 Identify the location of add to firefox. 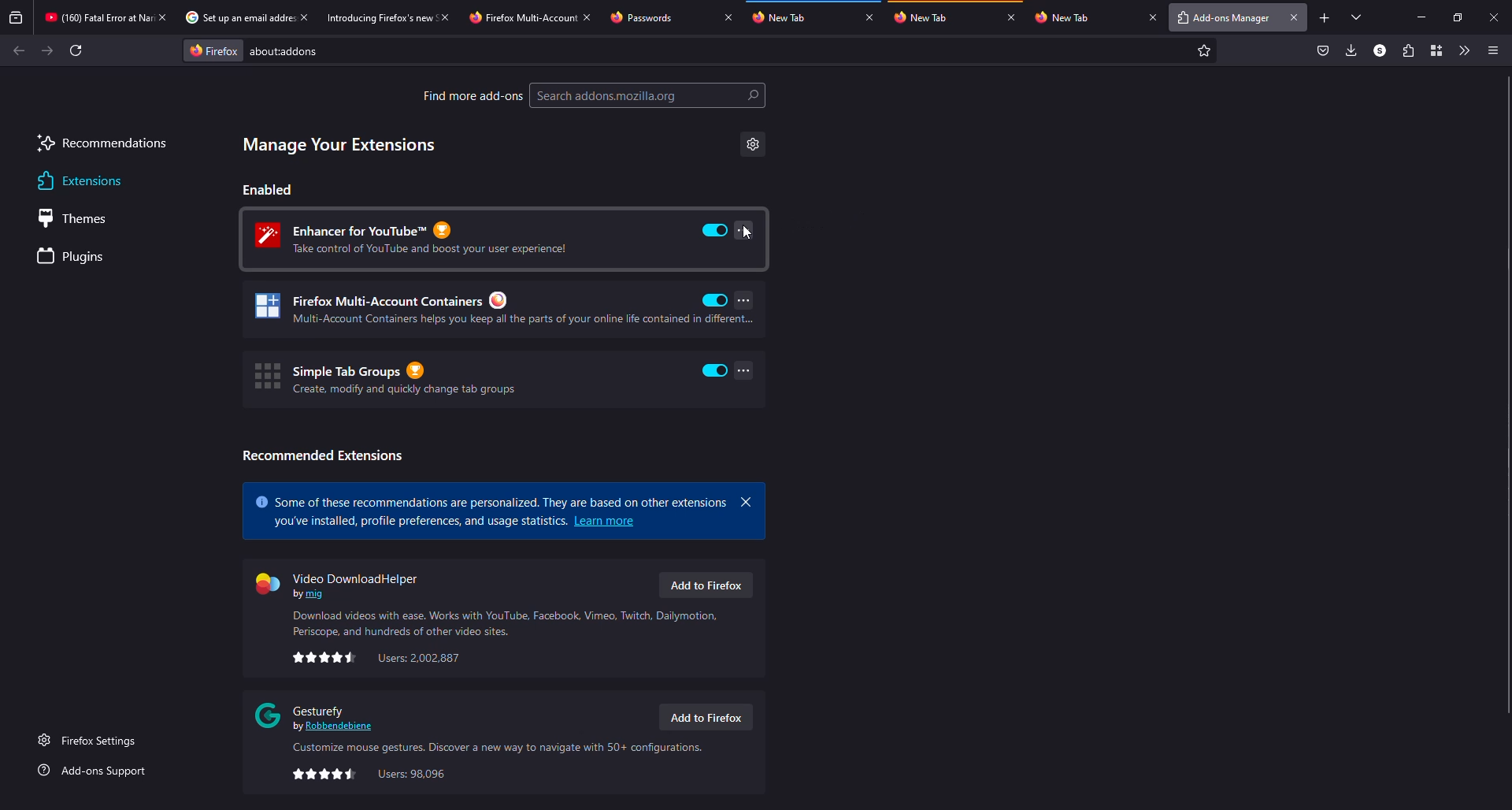
(705, 585).